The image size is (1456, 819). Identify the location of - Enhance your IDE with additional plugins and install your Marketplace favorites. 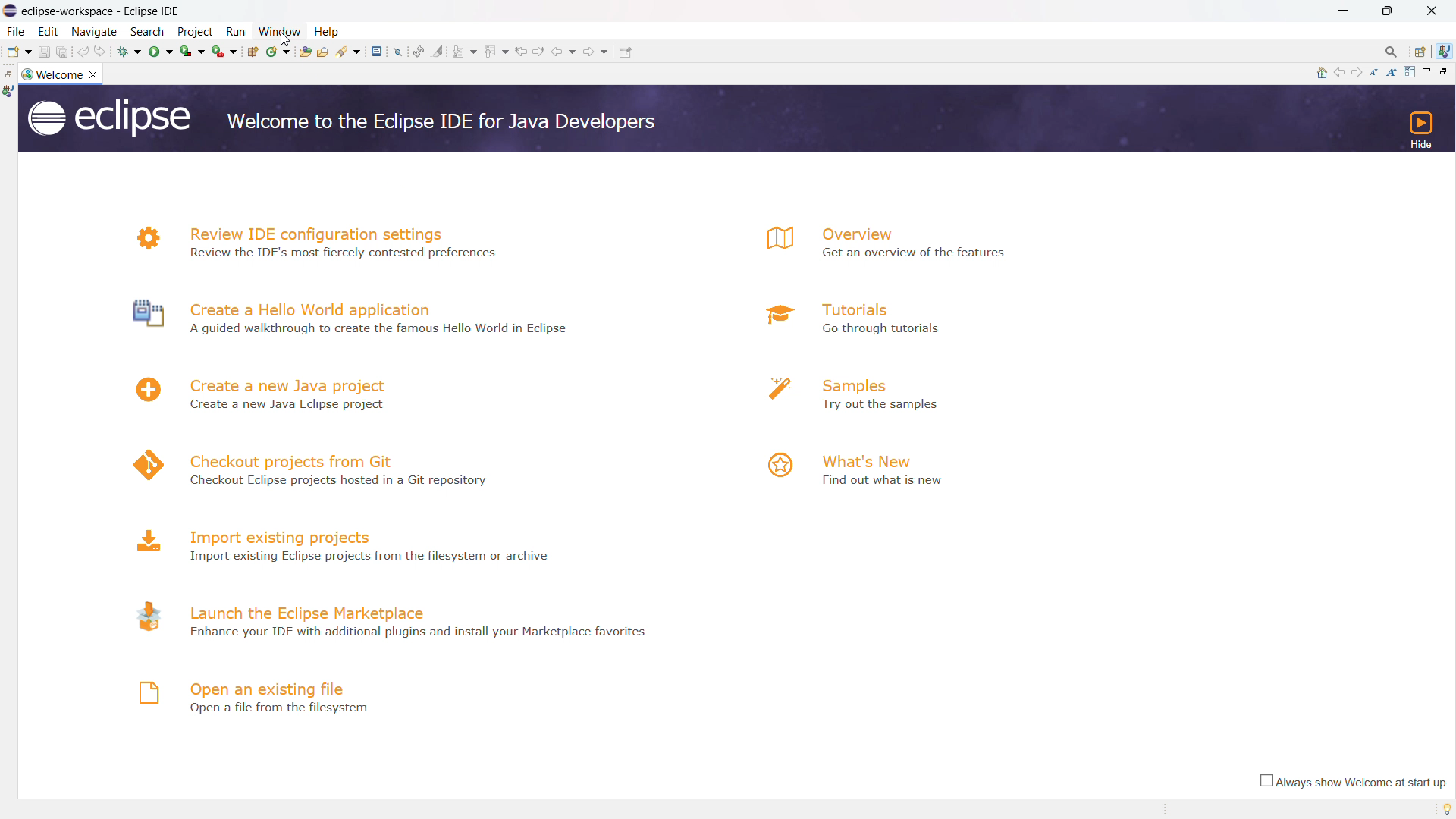
(422, 632).